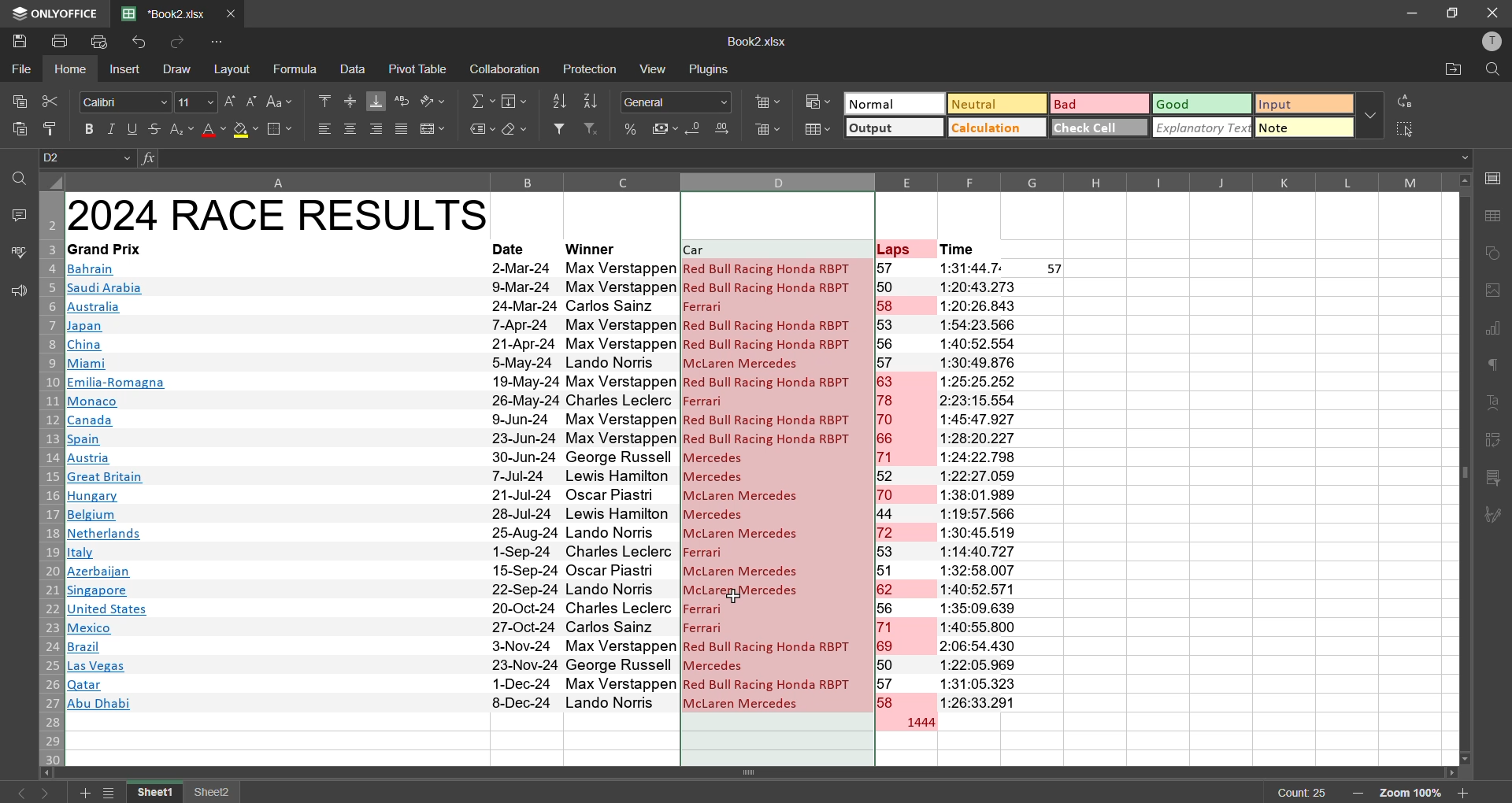  Describe the element at coordinates (1303, 792) in the screenshot. I see `count 25` at that location.